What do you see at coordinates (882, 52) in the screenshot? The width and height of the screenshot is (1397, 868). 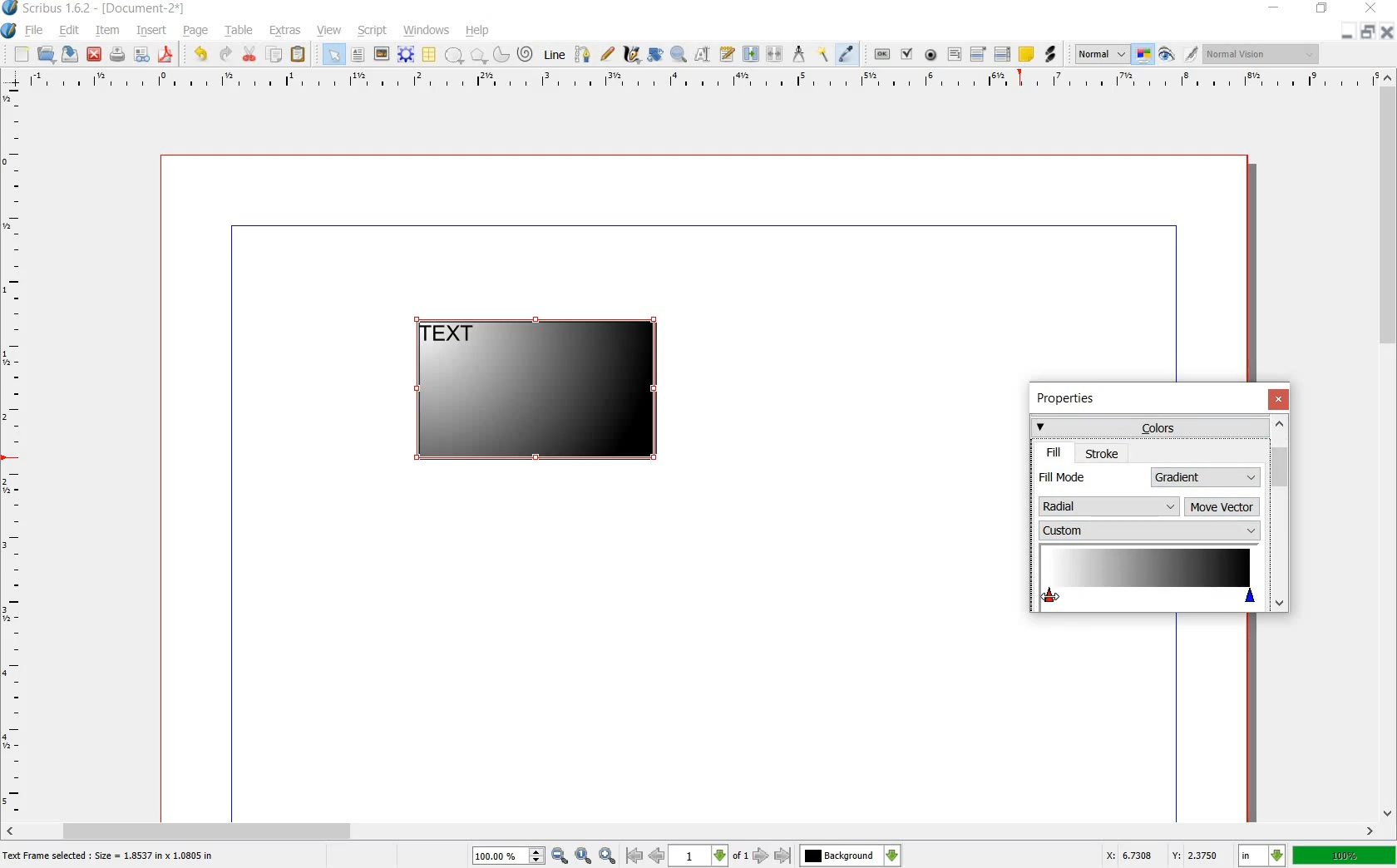 I see `pdf push button` at bounding box center [882, 52].